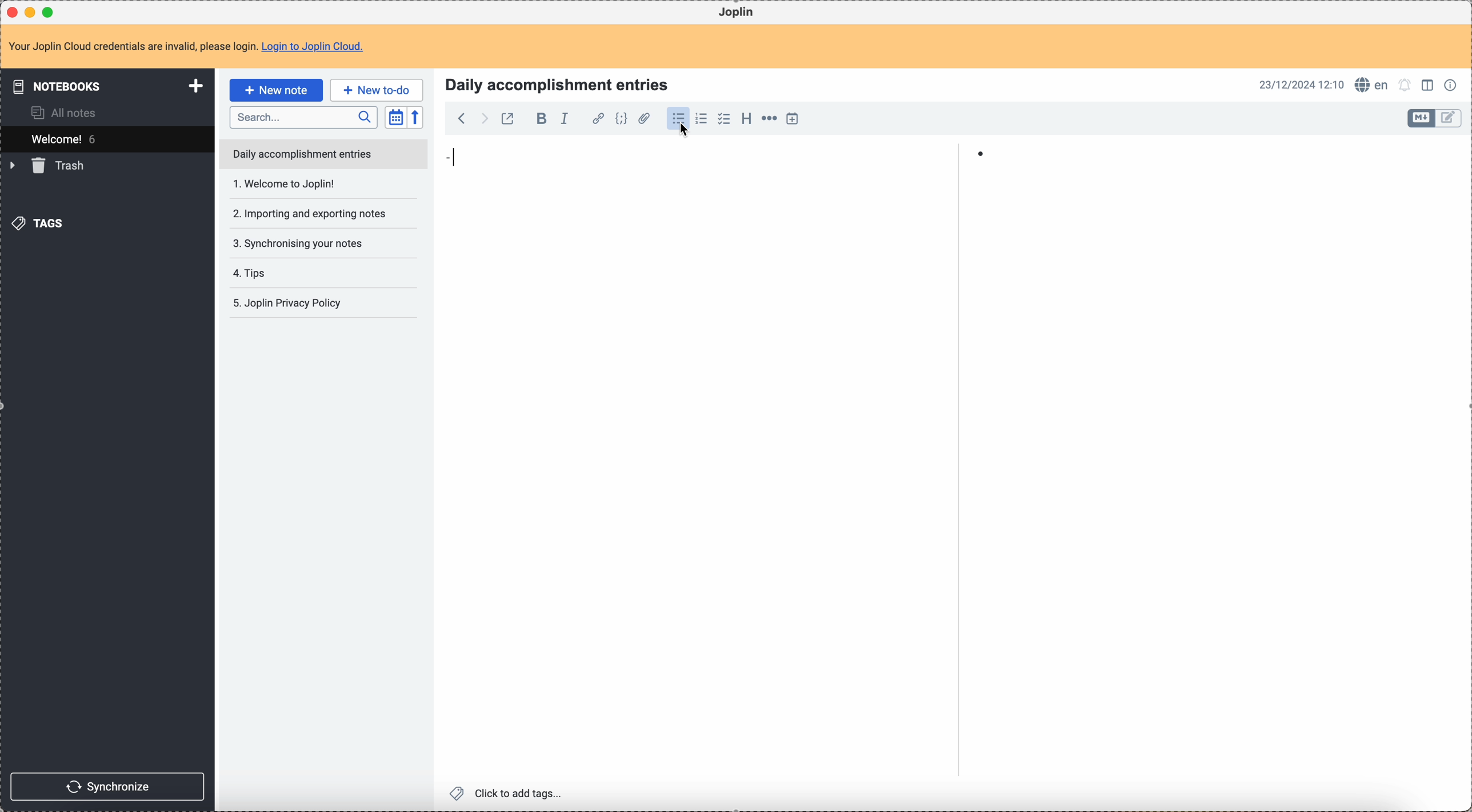 The image size is (1472, 812). Describe the element at coordinates (678, 120) in the screenshot. I see `bulleted list` at that location.